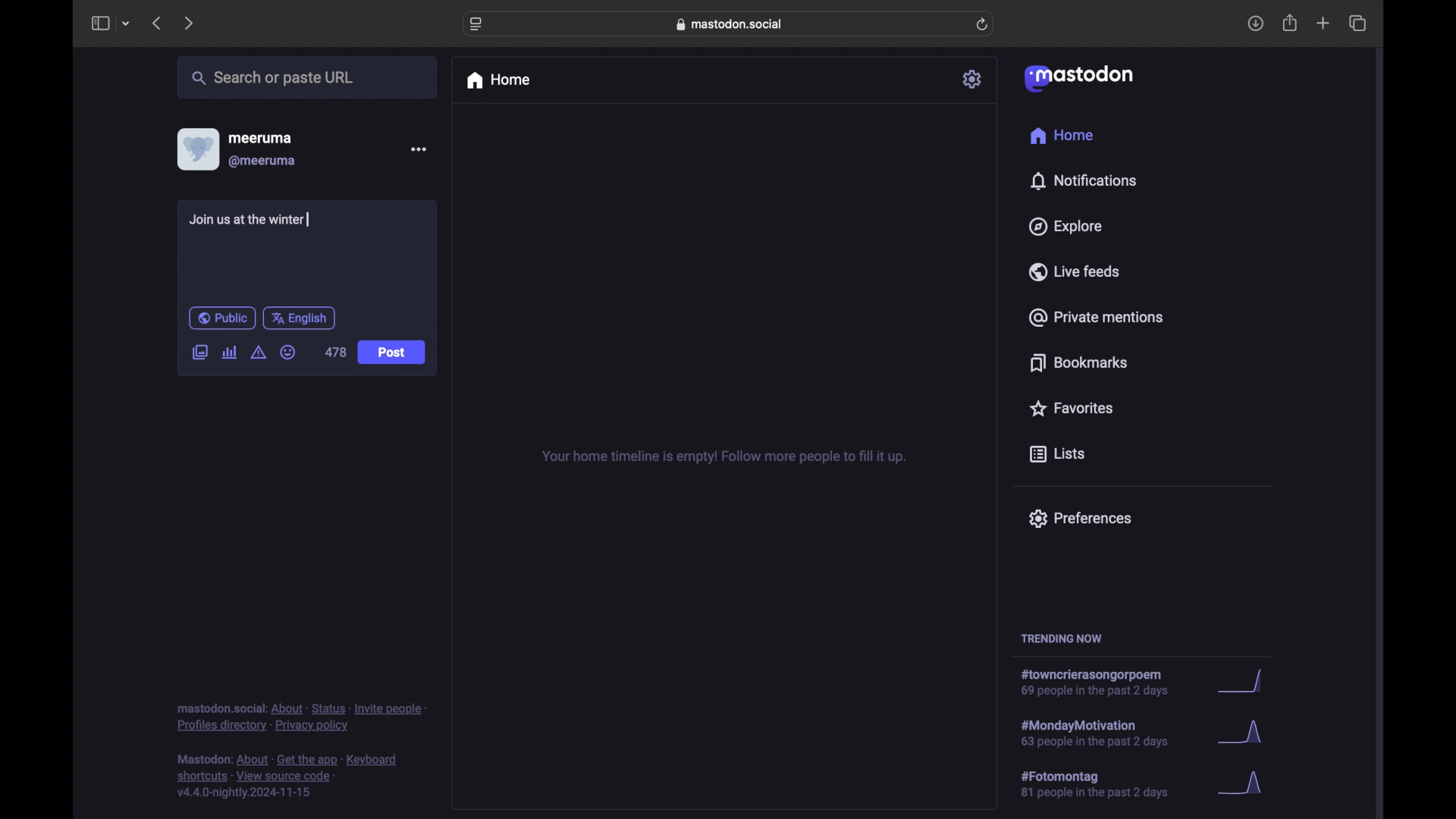  What do you see at coordinates (1103, 683) in the screenshot?
I see `hashtag trend` at bounding box center [1103, 683].